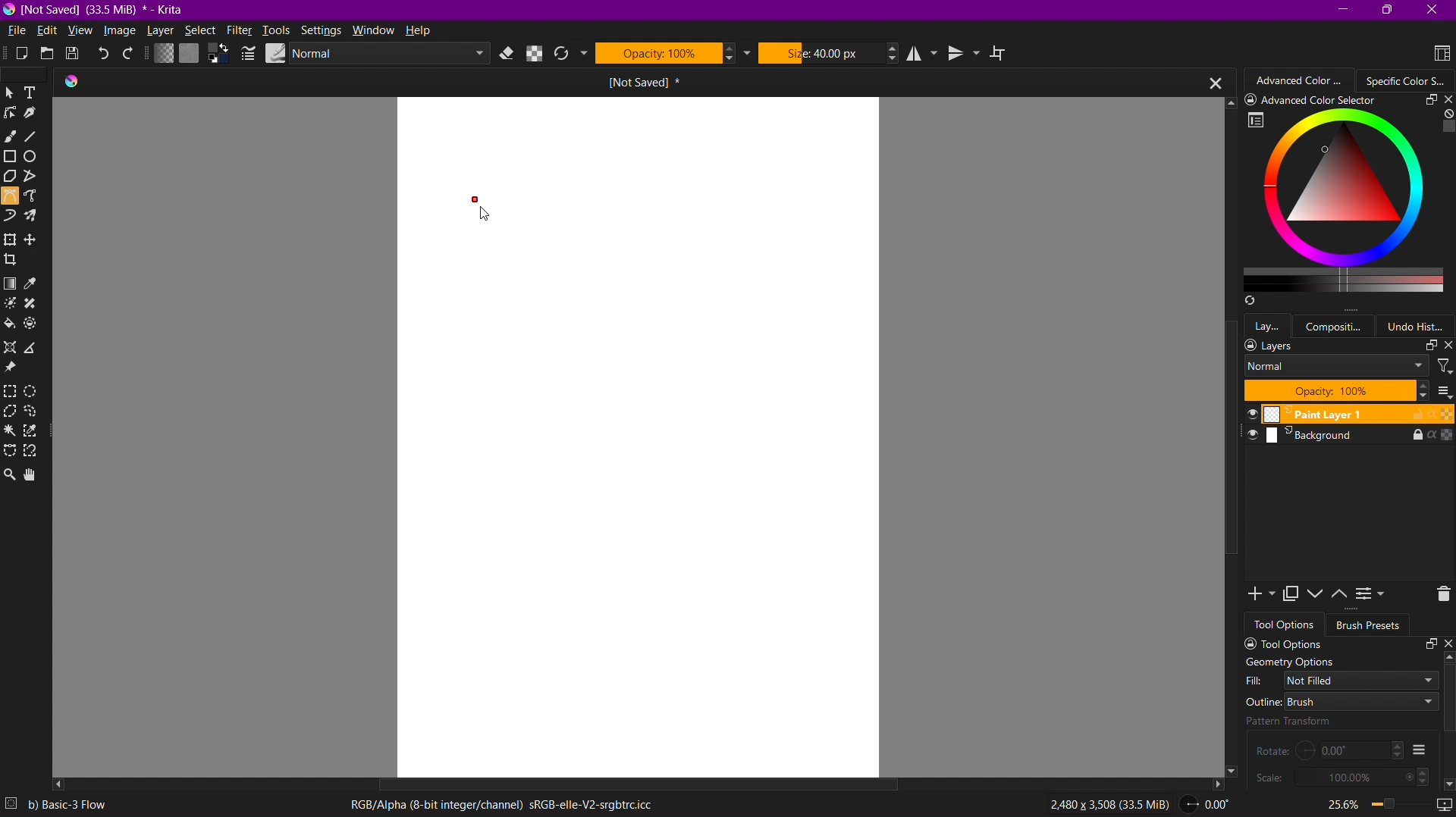  What do you see at coordinates (75, 55) in the screenshot?
I see `Save` at bounding box center [75, 55].